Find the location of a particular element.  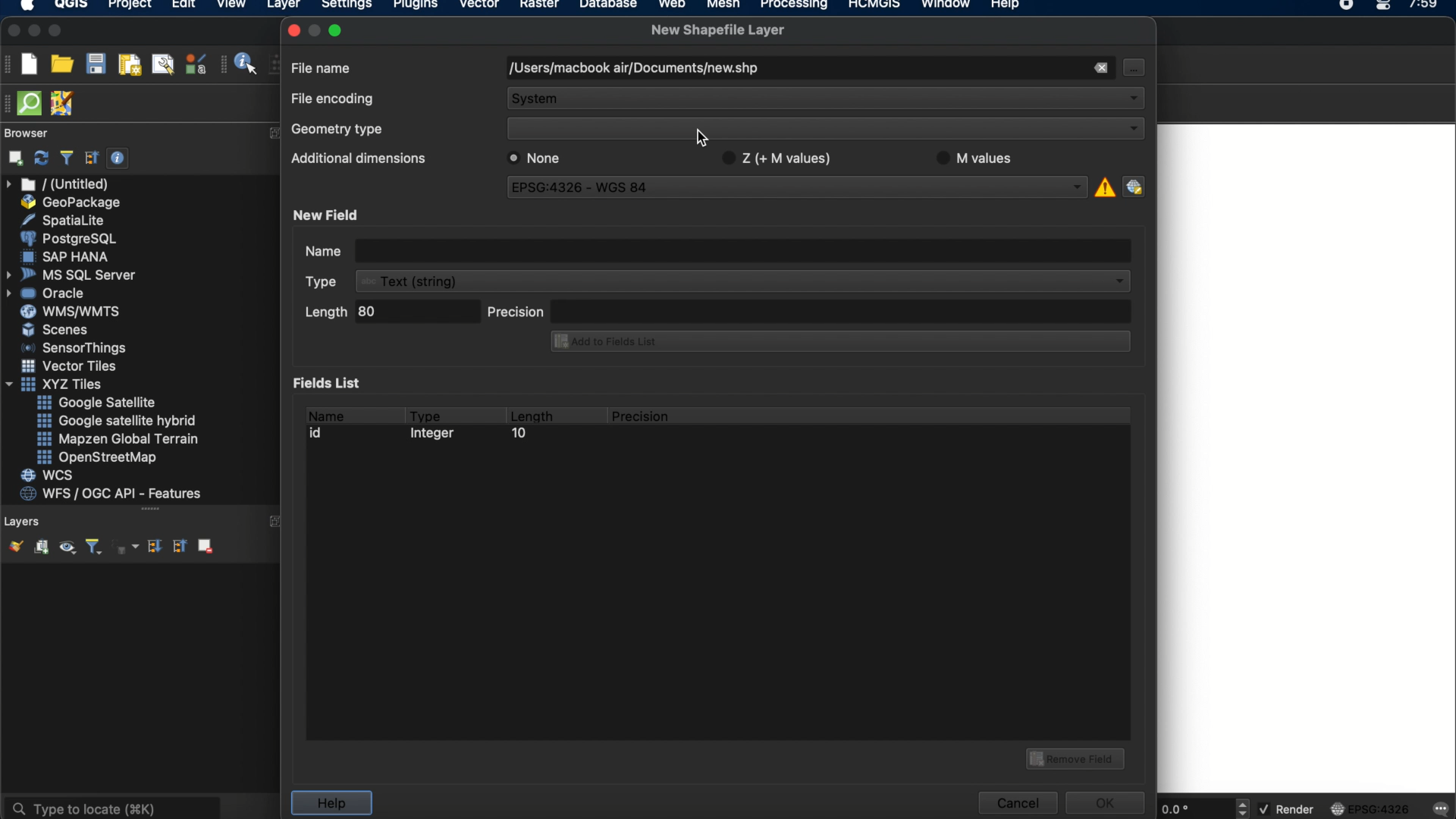

filter legend by expression is located at coordinates (127, 547).